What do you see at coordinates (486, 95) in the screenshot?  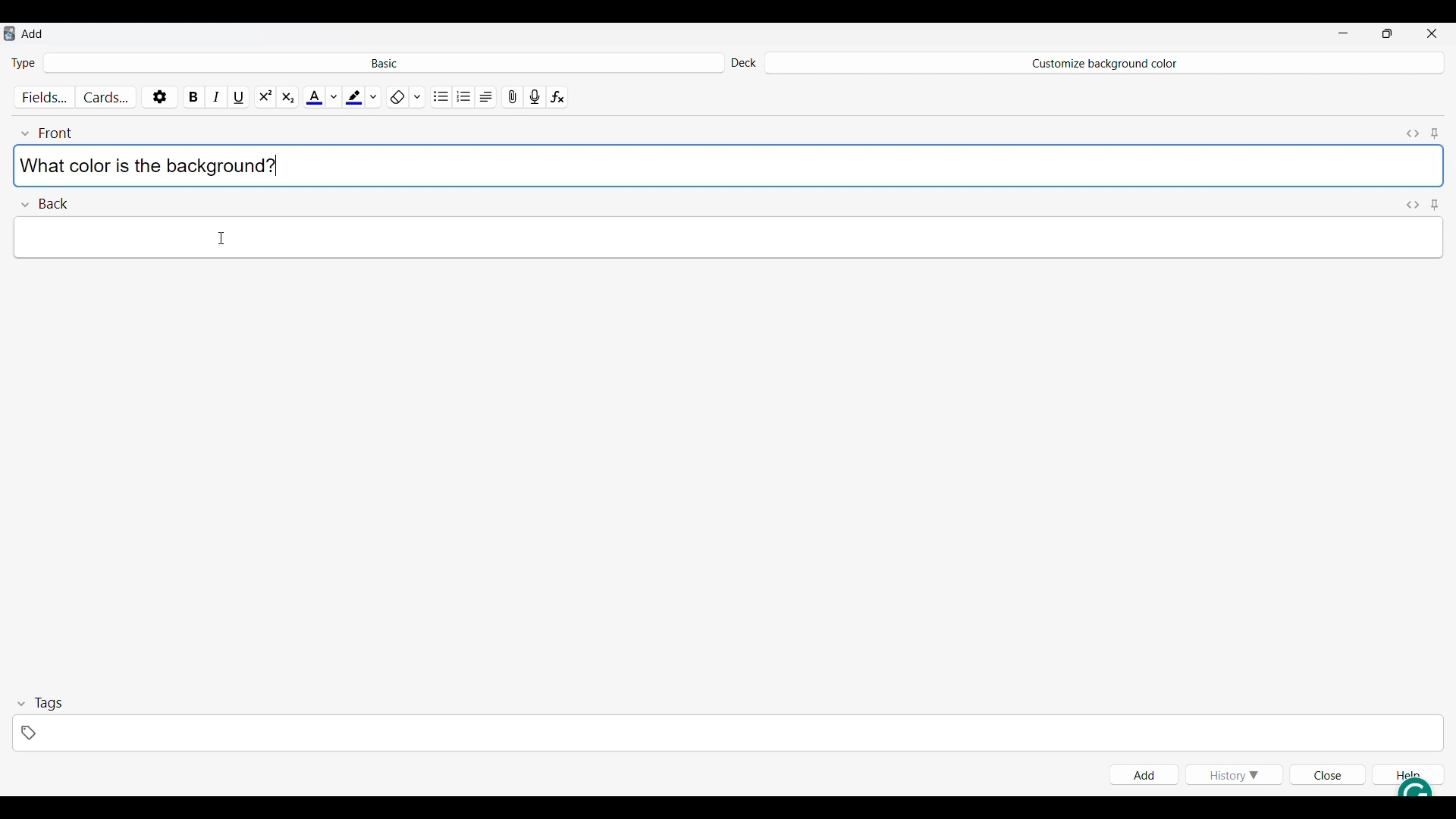 I see `Alignment` at bounding box center [486, 95].